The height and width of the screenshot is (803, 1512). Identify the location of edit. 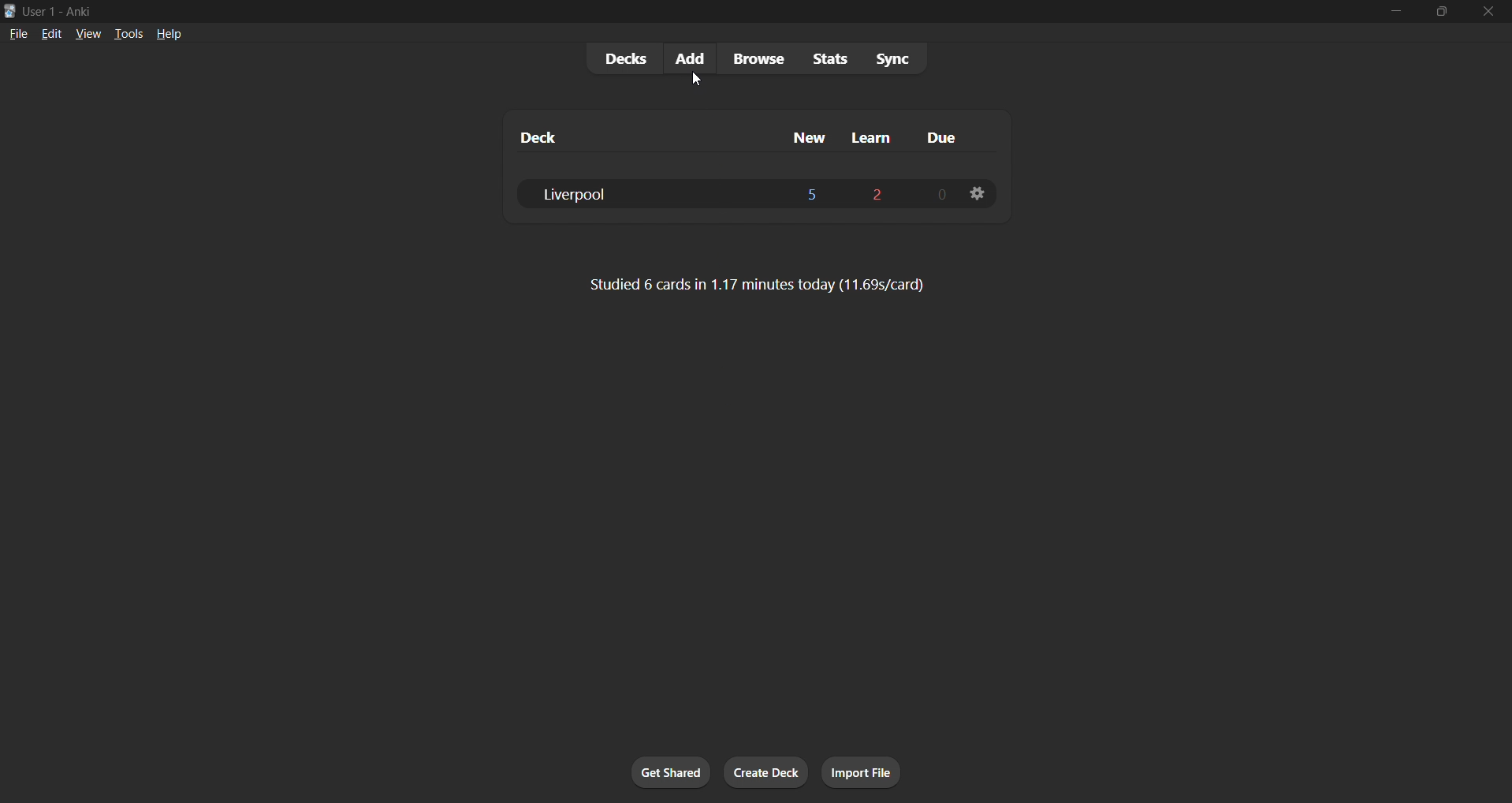
(47, 33).